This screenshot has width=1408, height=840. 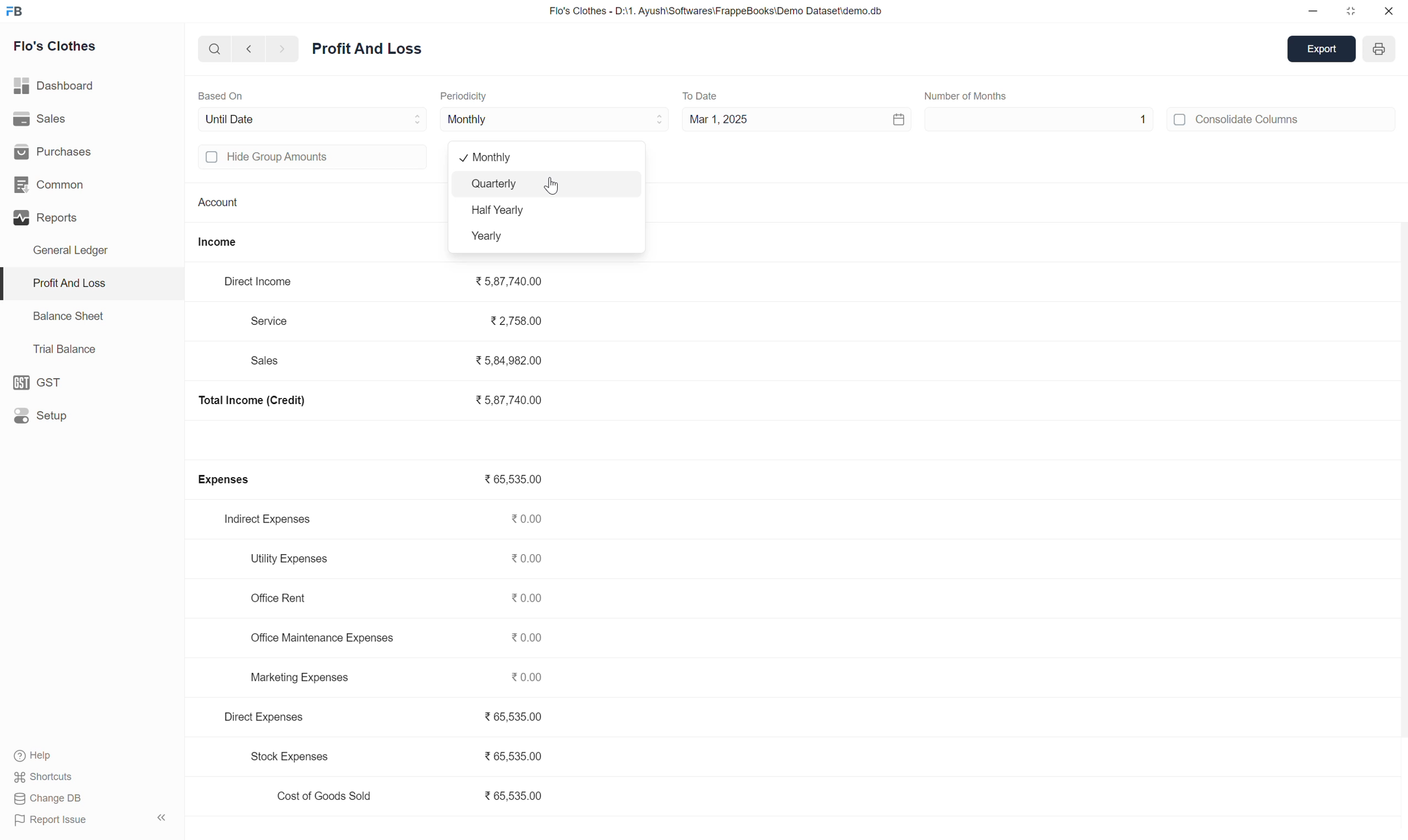 I want to click on Based On, so click(x=230, y=96).